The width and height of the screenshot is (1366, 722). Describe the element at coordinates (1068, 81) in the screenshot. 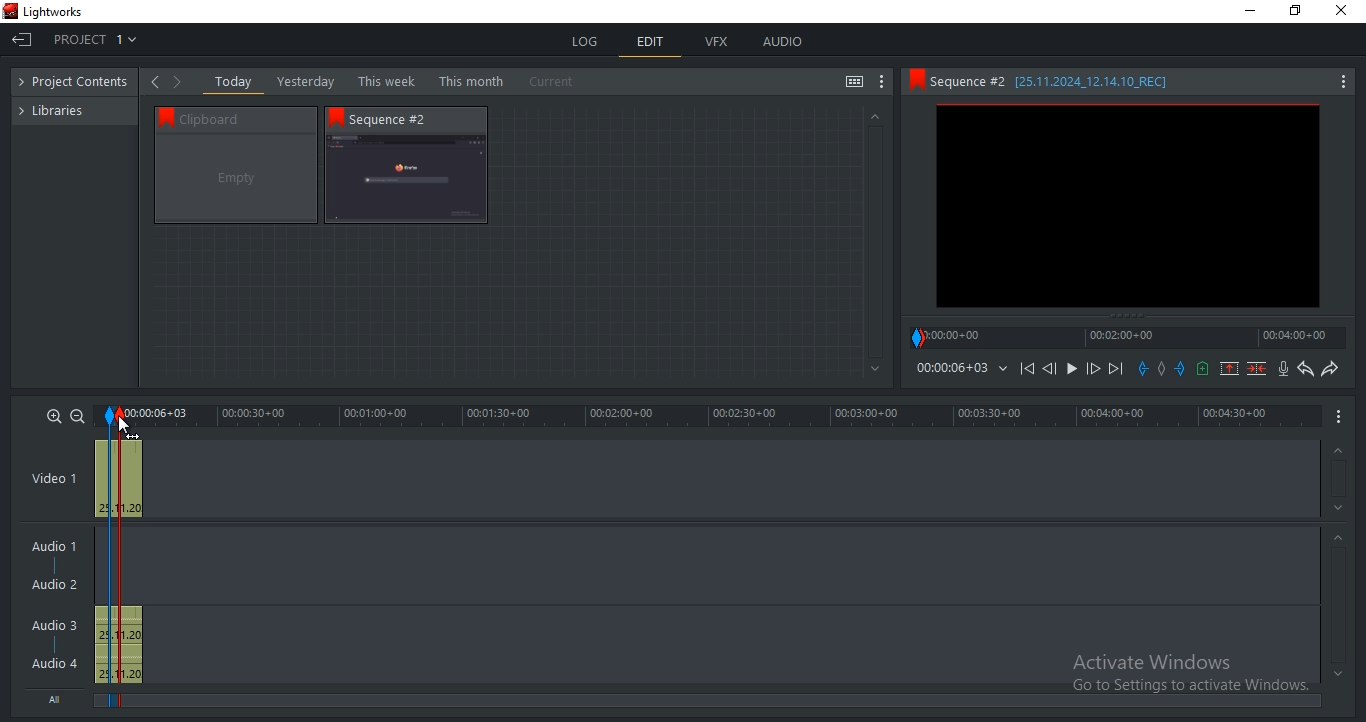

I see `Sequence 2 details` at that location.